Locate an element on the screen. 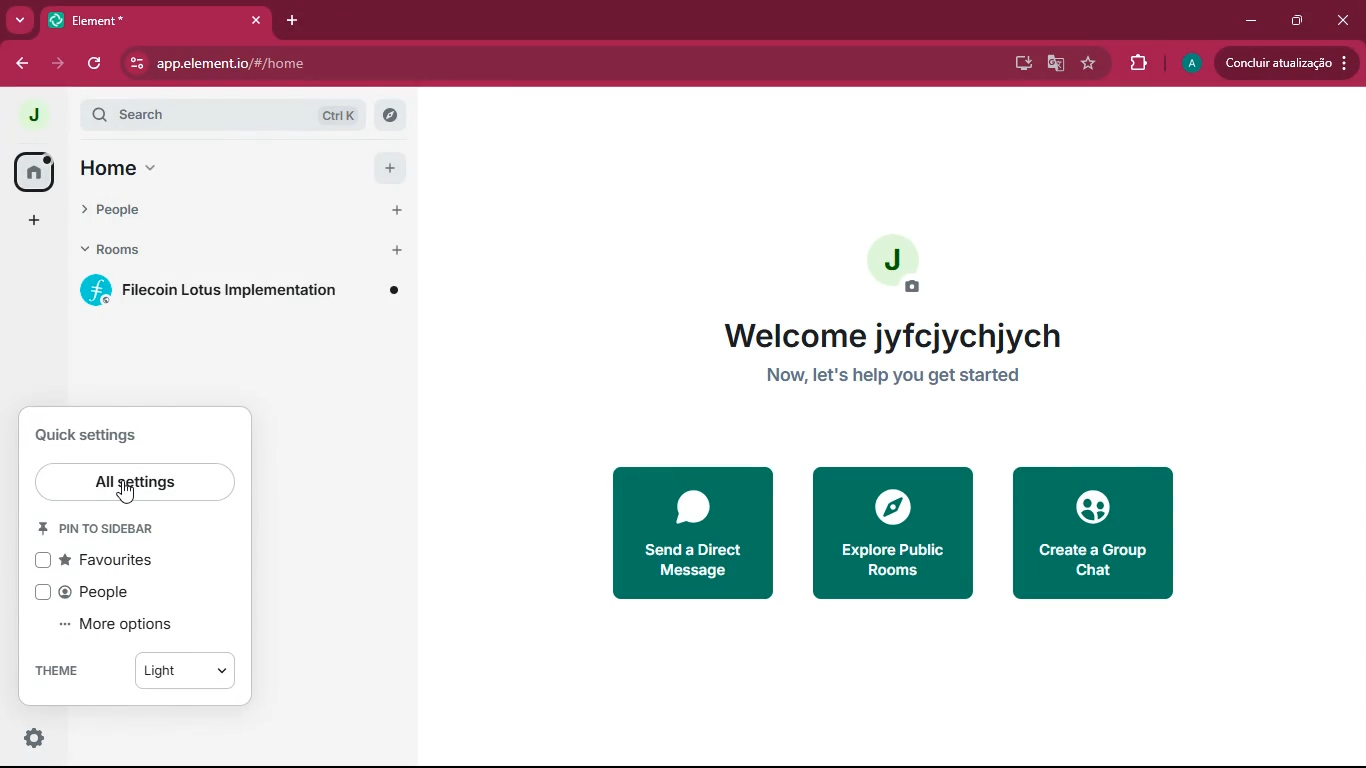 Image resolution: width=1366 pixels, height=768 pixels. profile is located at coordinates (1190, 63).